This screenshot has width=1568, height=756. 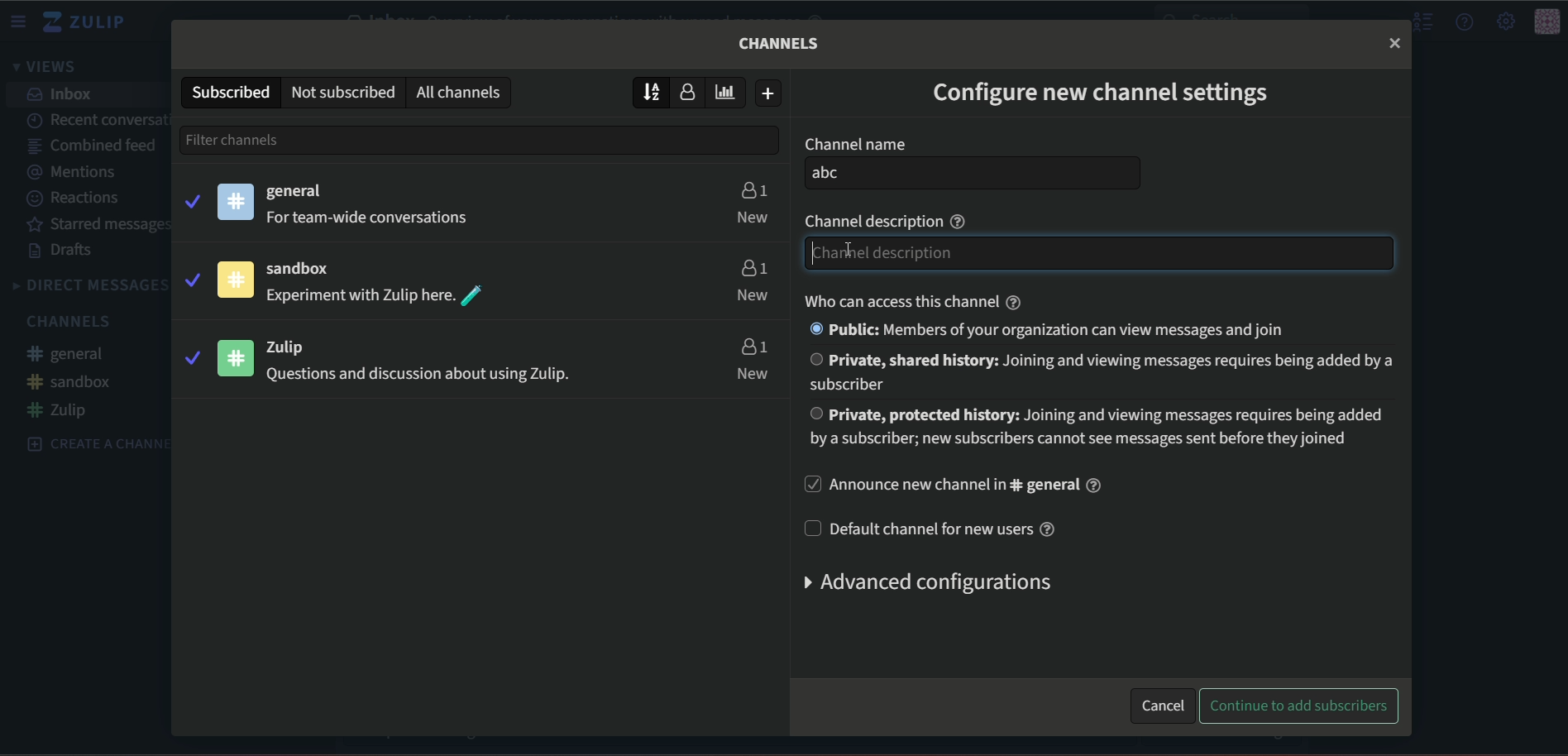 I want to click on abc, so click(x=973, y=174).